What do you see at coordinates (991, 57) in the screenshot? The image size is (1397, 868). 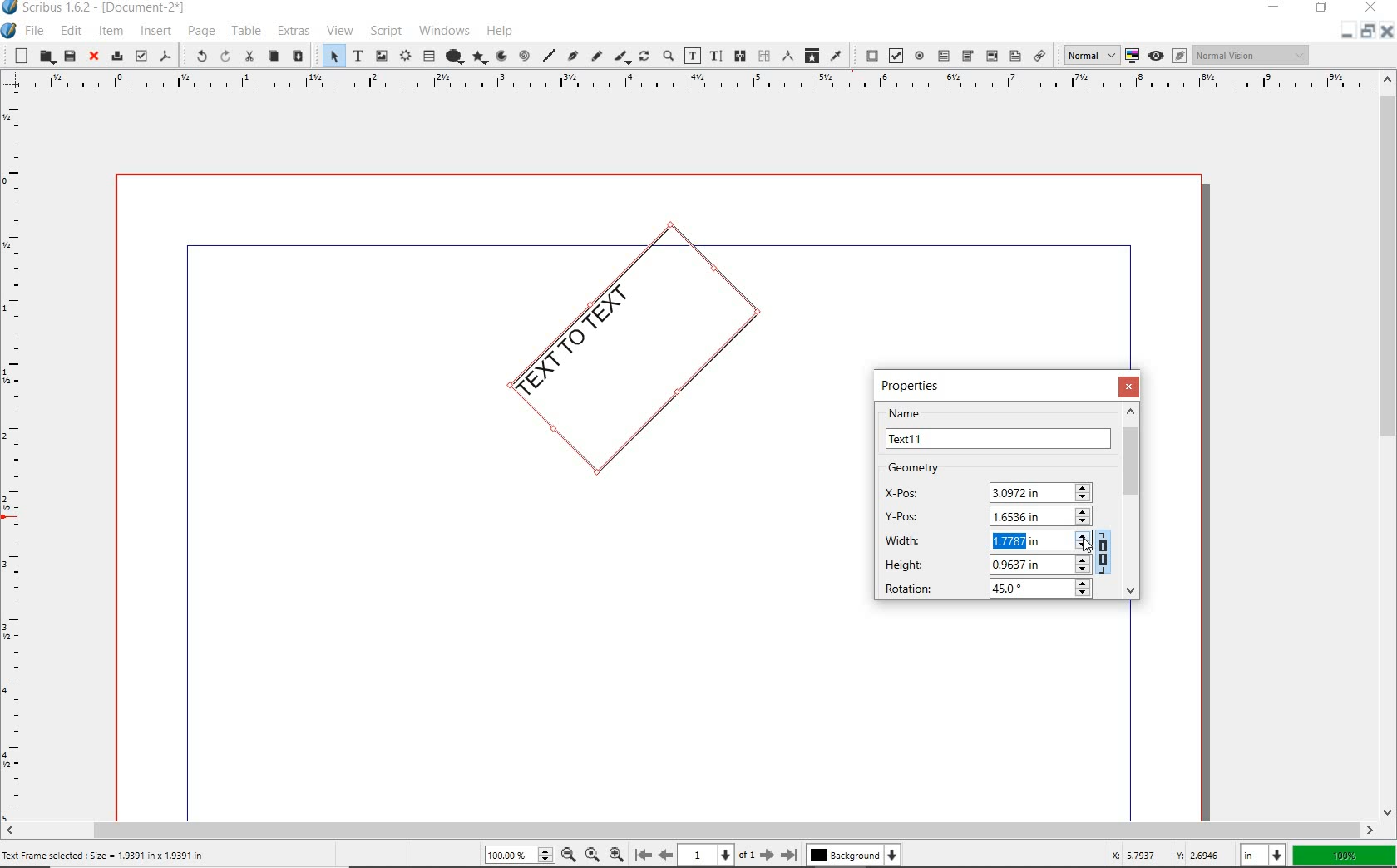 I see `pdf combo box` at bounding box center [991, 57].